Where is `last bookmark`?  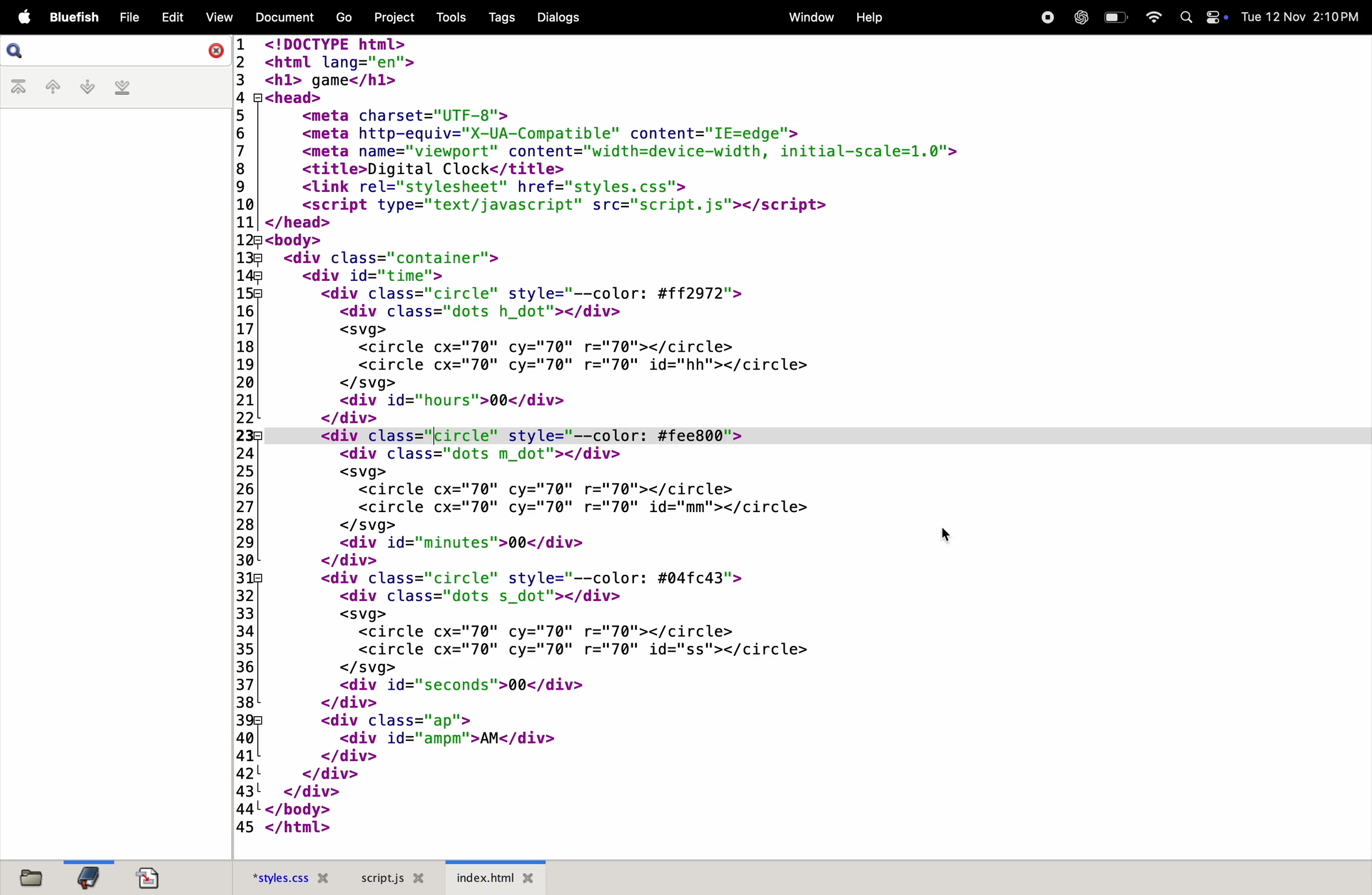 last bookmark is located at coordinates (125, 87).